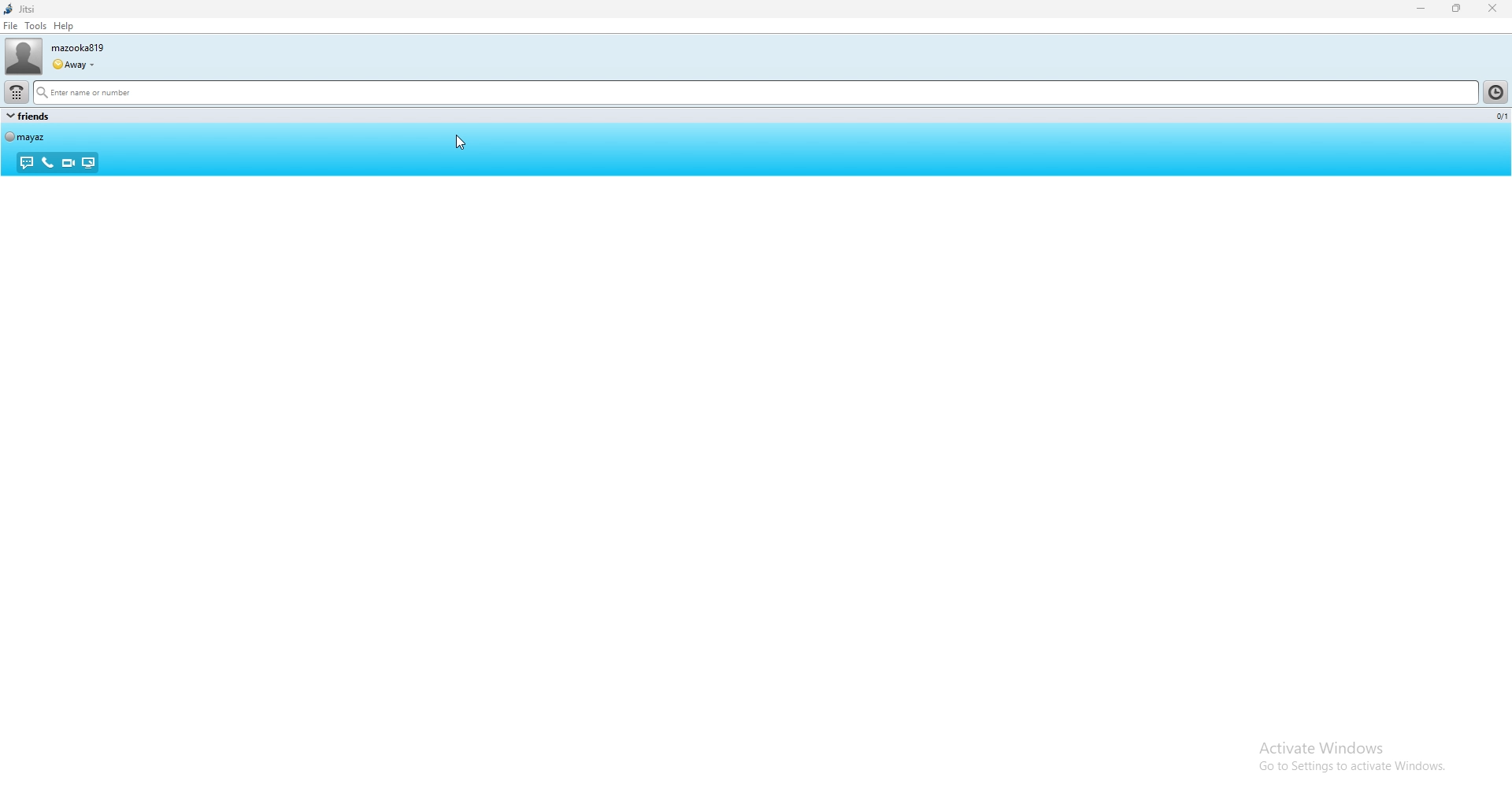 The width and height of the screenshot is (1512, 811). What do you see at coordinates (28, 116) in the screenshot?
I see `group` at bounding box center [28, 116].